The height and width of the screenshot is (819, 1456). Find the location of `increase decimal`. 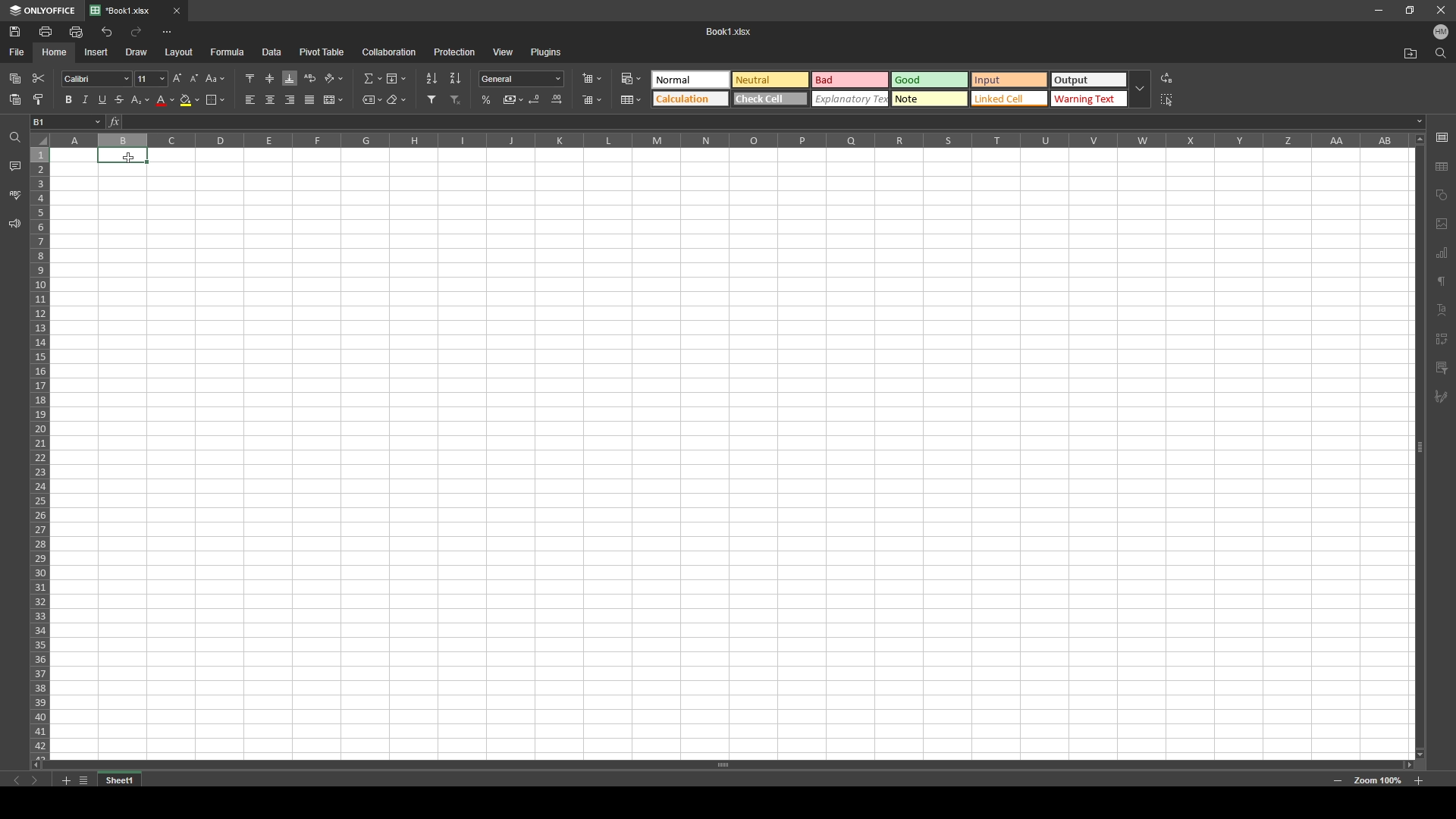

increase decimal is located at coordinates (557, 99).